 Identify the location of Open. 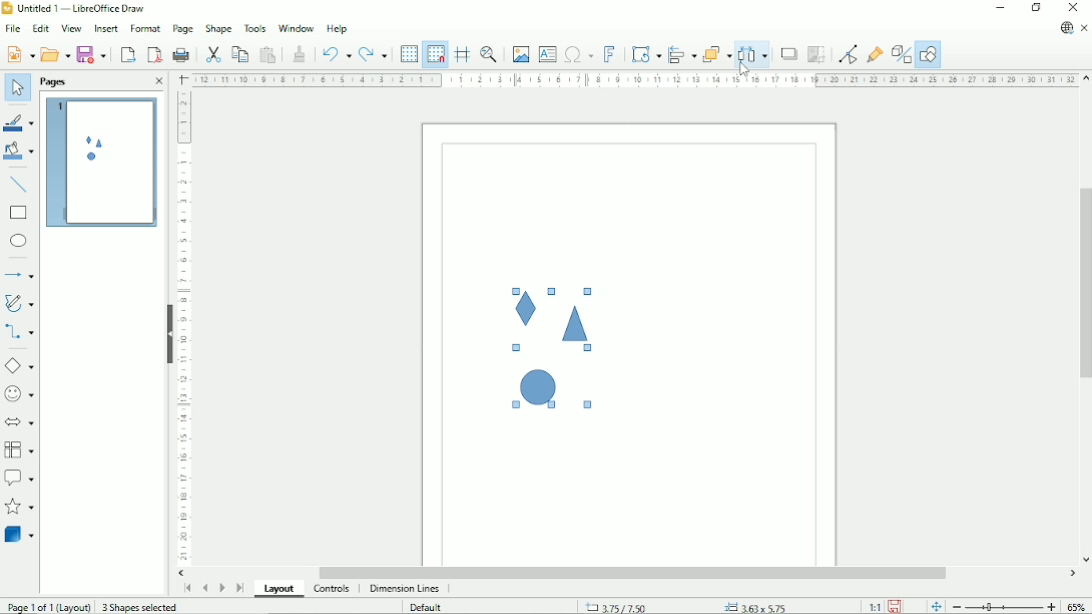
(54, 53).